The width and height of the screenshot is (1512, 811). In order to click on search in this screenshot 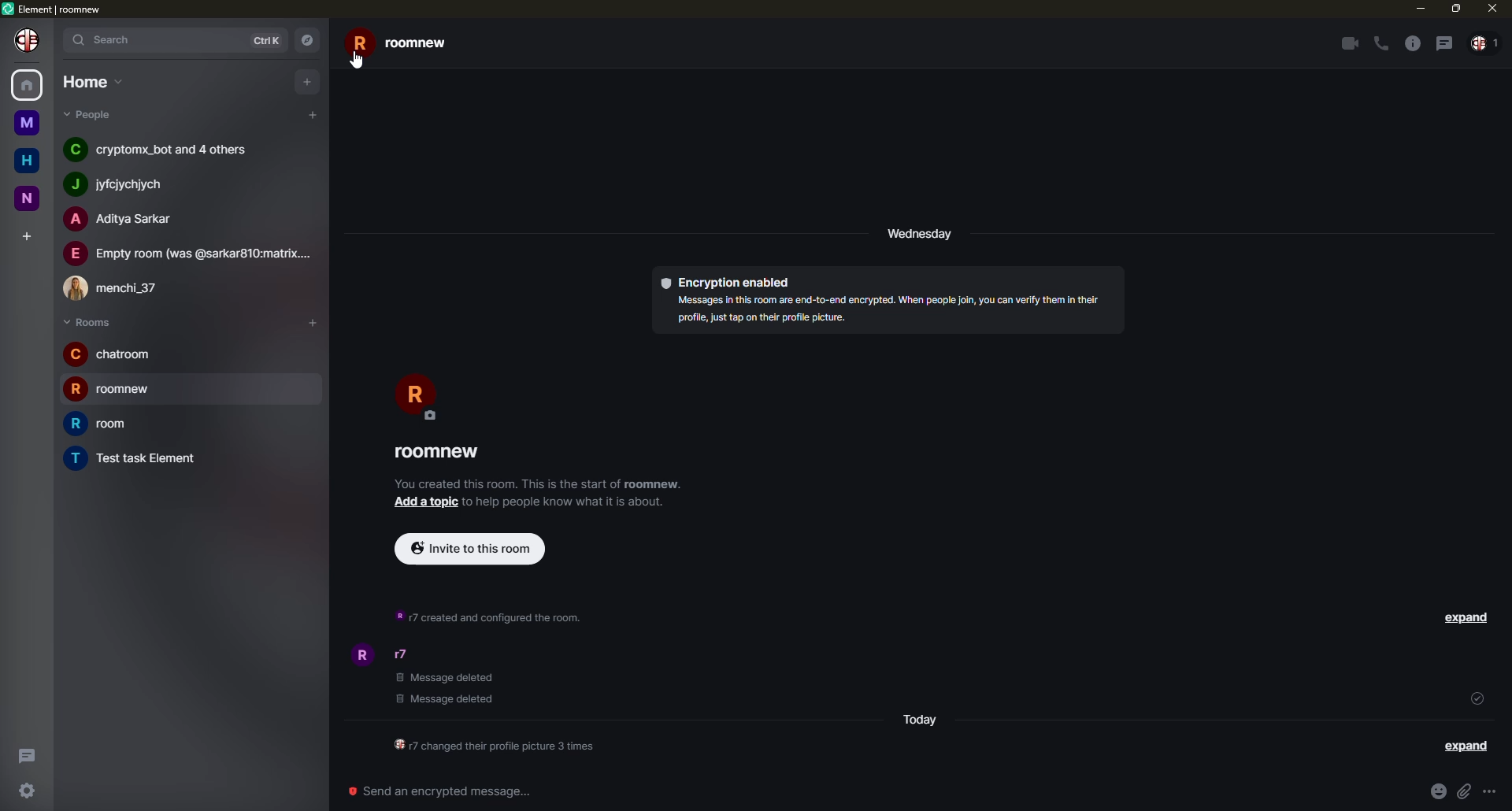, I will do `click(109, 41)`.